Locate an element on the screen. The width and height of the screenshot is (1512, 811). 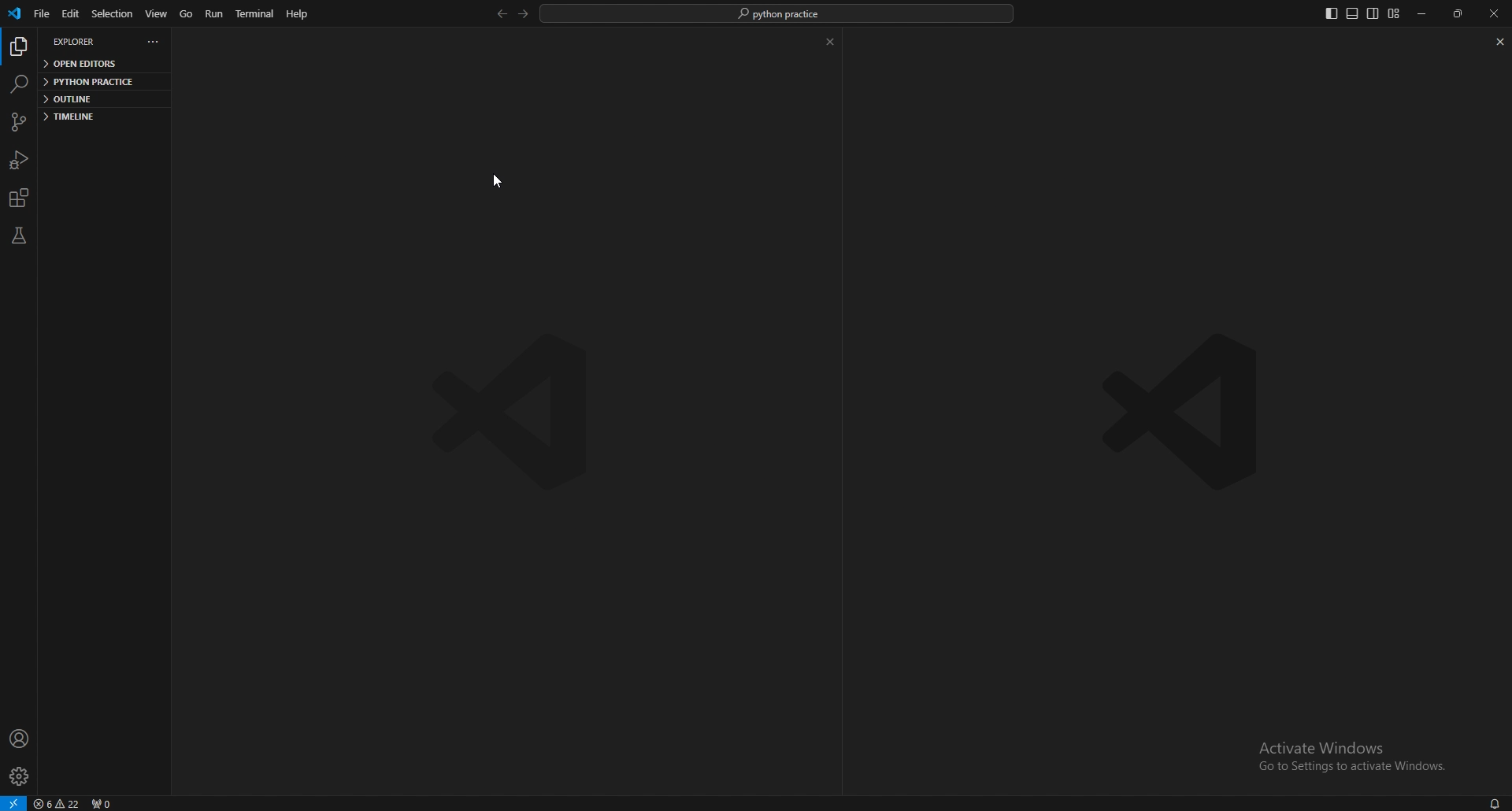
vscode is located at coordinates (17, 14).